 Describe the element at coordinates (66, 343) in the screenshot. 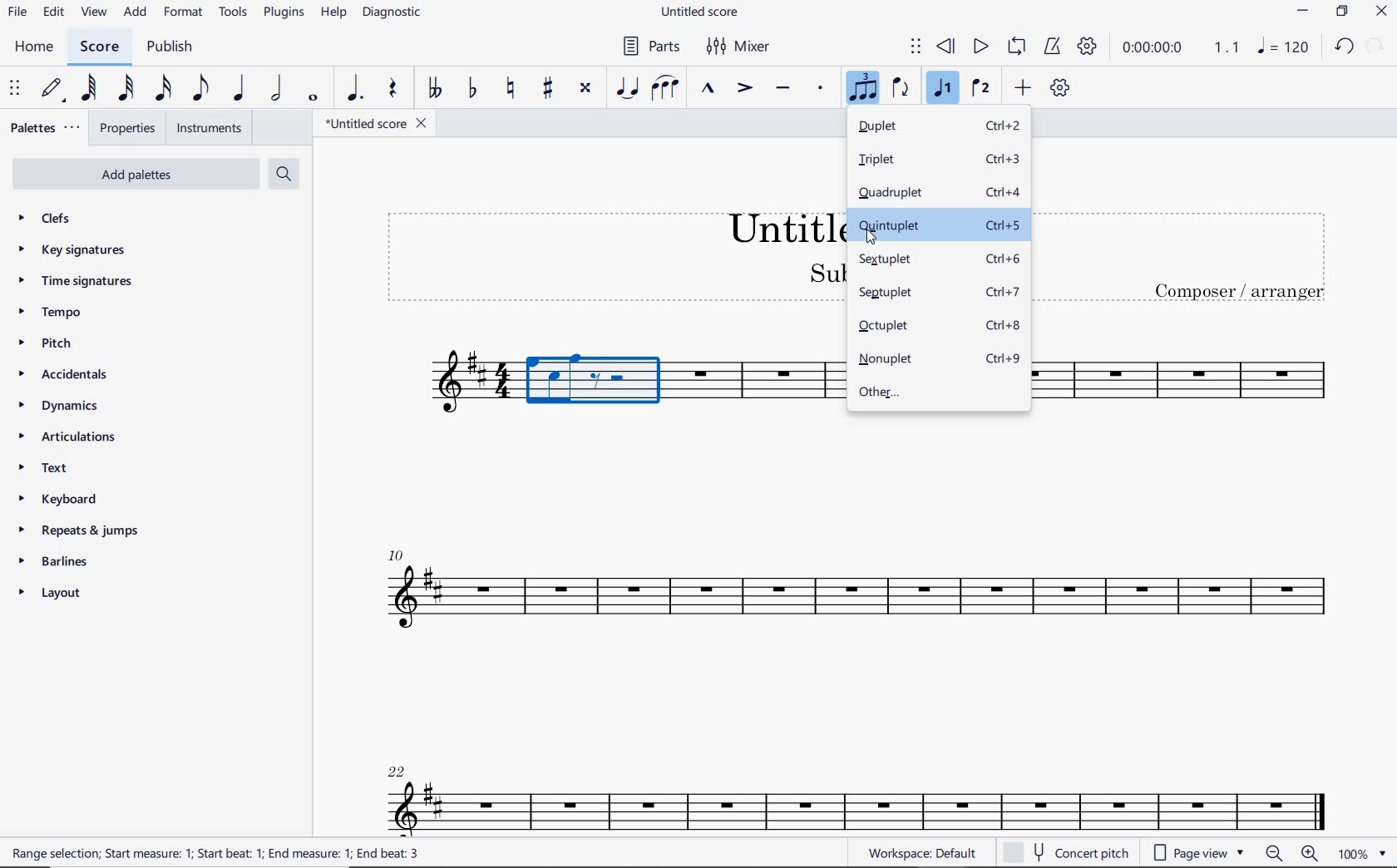

I see `PITCH` at that location.